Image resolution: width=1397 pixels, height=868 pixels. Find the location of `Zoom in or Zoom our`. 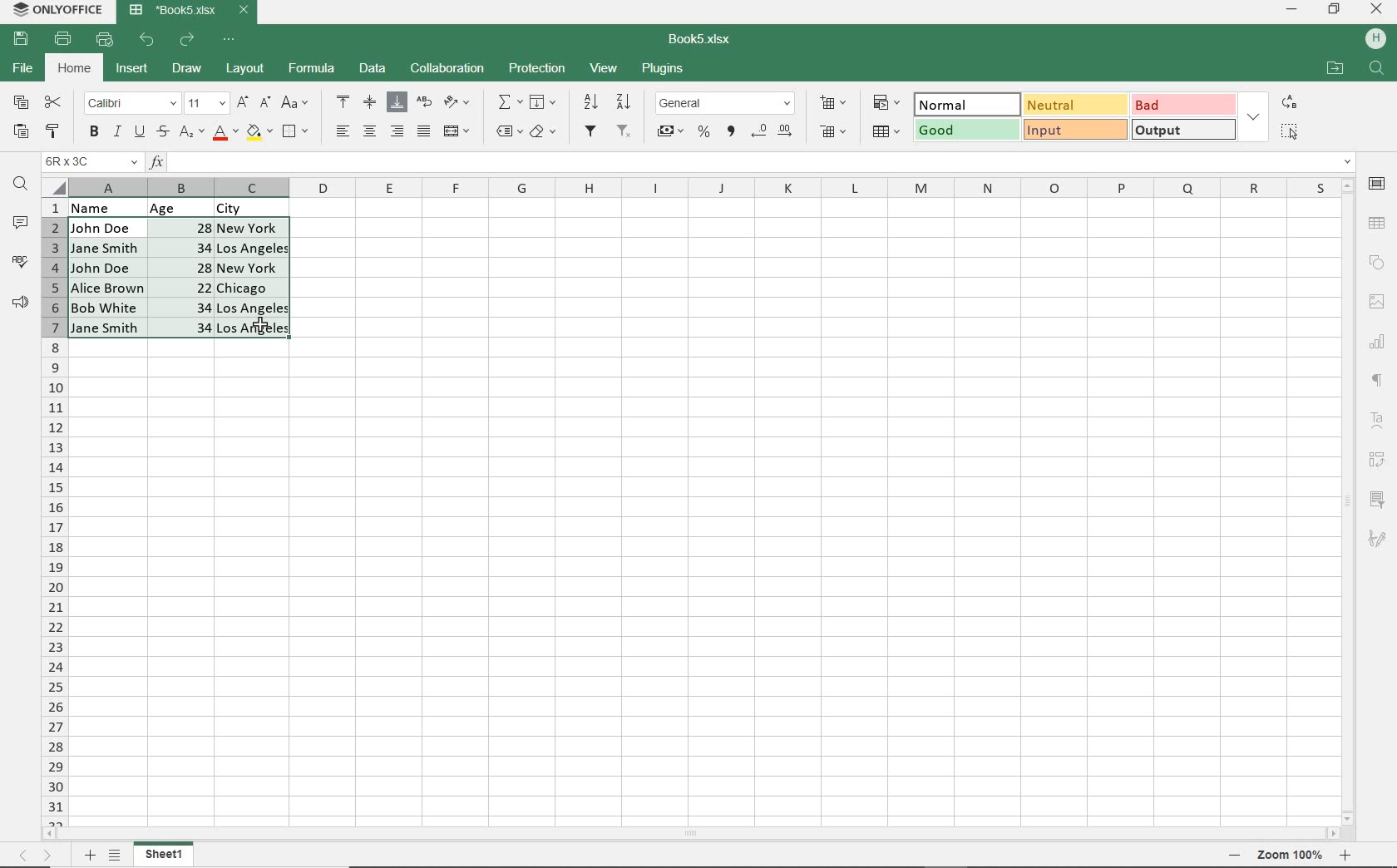

Zoom in or Zoom our is located at coordinates (1295, 855).